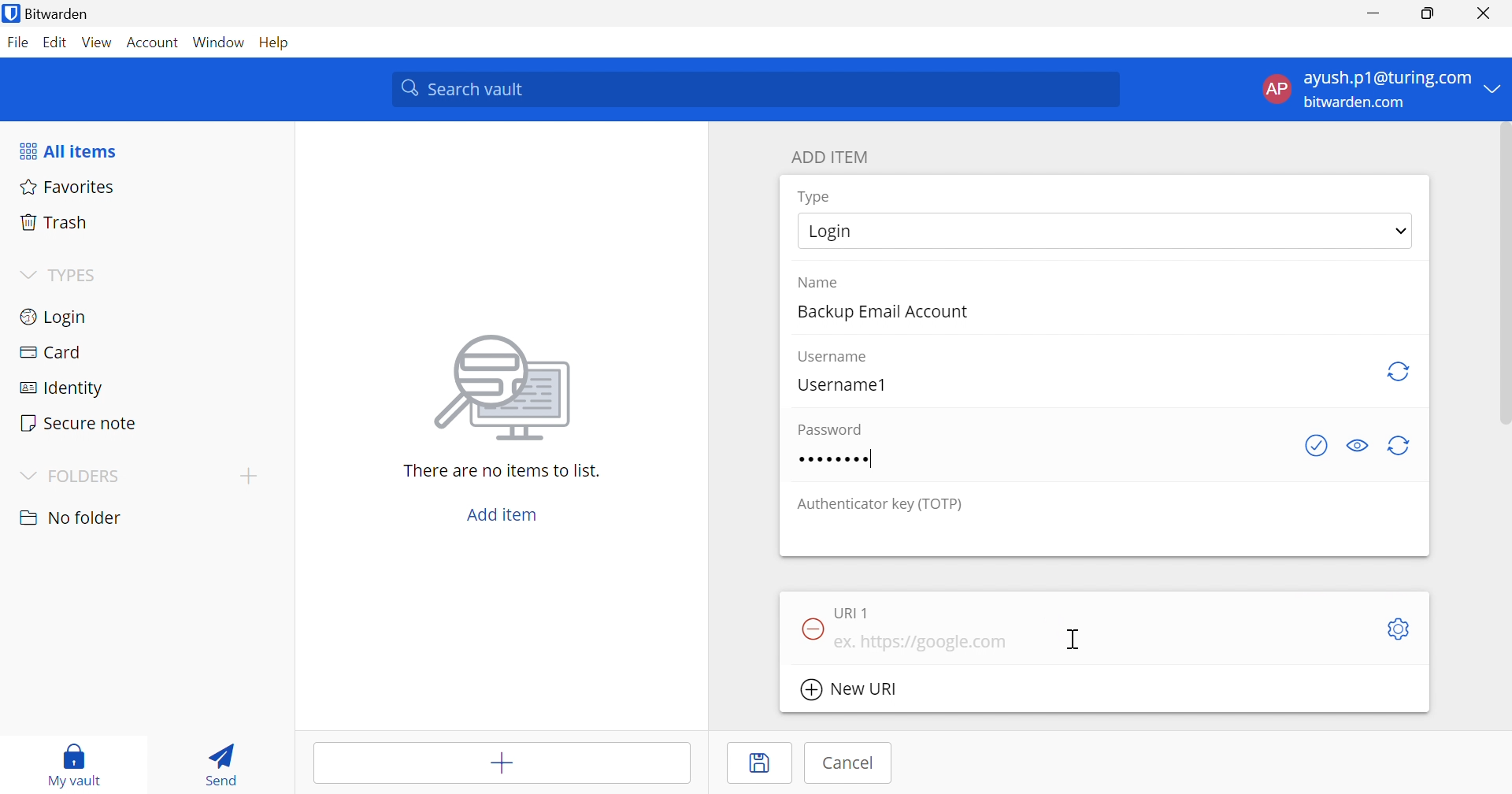  I want to click on Search vault, so click(759, 90).